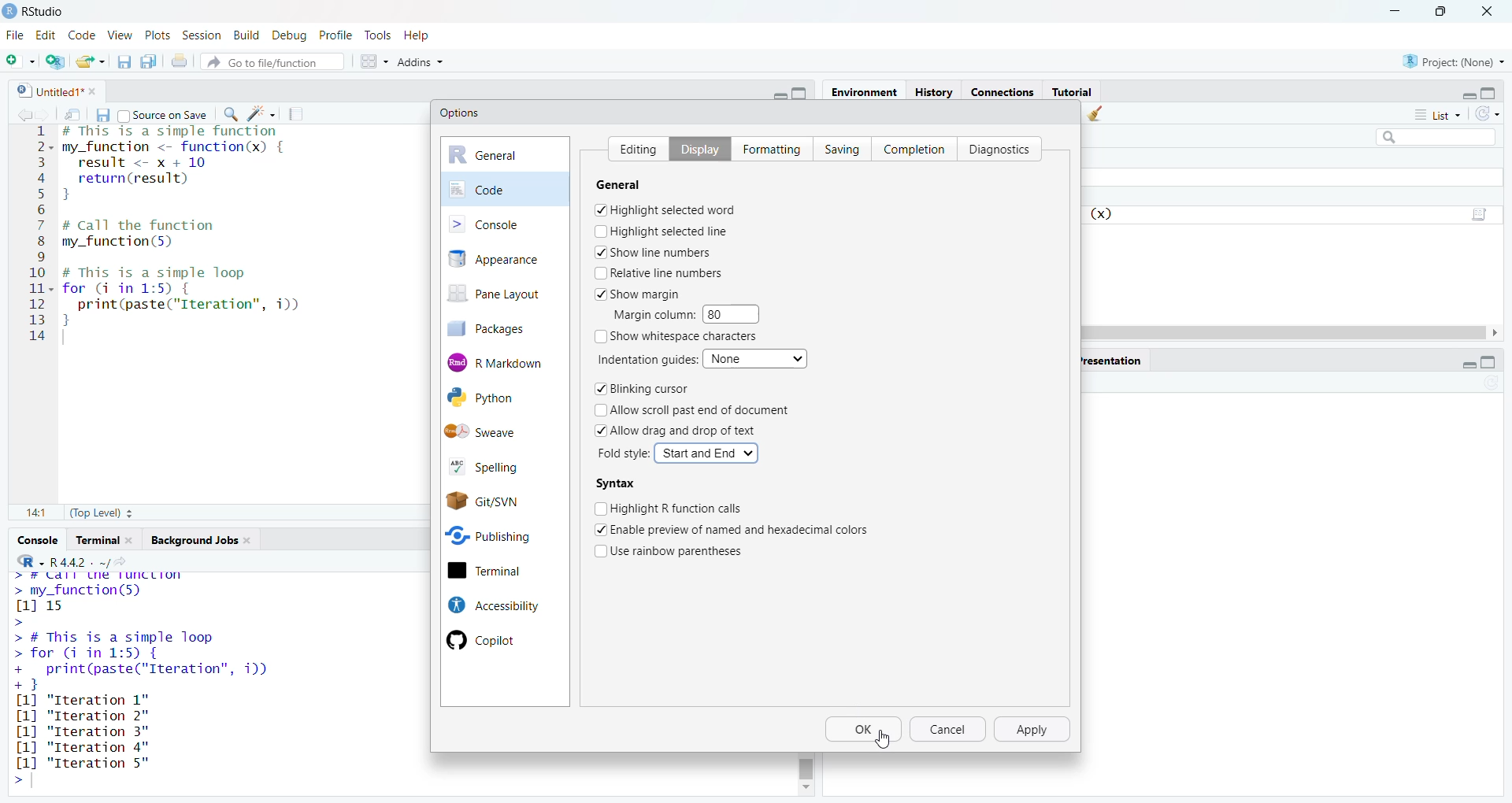 This screenshot has height=803, width=1512. Describe the element at coordinates (1098, 115) in the screenshot. I see `clear objects from the workspace` at that location.